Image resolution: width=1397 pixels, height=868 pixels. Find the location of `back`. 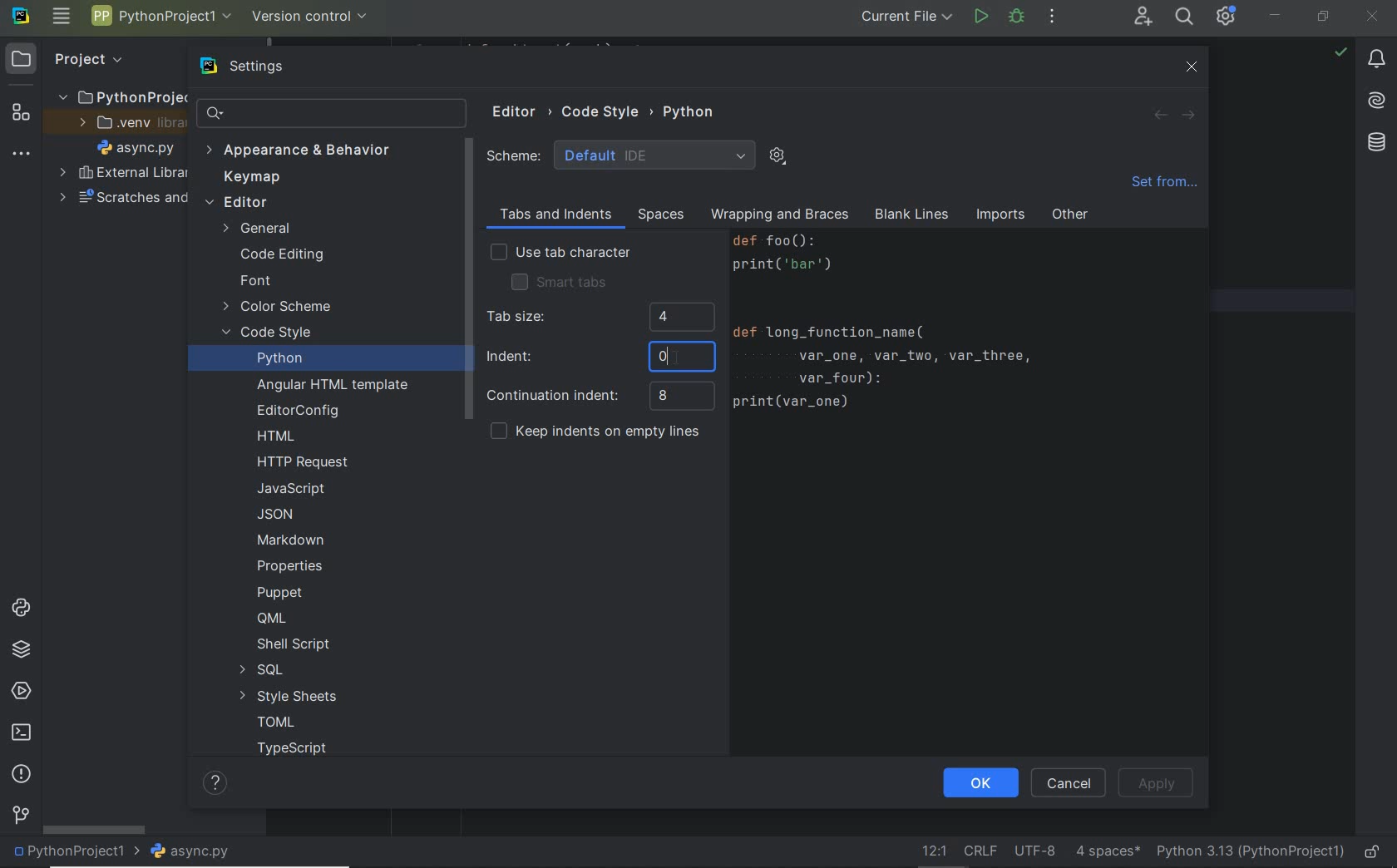

back is located at coordinates (1161, 116).